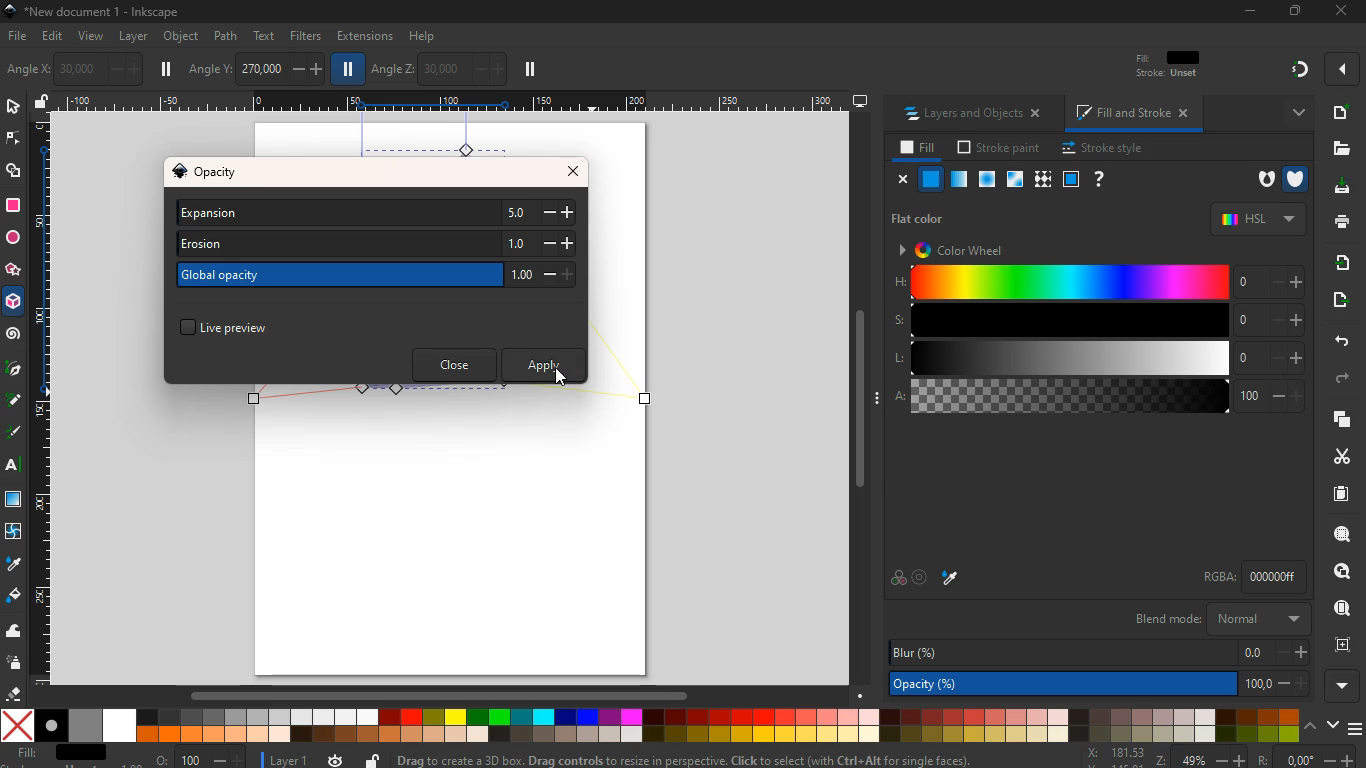 The image size is (1366, 768). I want to click on help, so click(424, 34).